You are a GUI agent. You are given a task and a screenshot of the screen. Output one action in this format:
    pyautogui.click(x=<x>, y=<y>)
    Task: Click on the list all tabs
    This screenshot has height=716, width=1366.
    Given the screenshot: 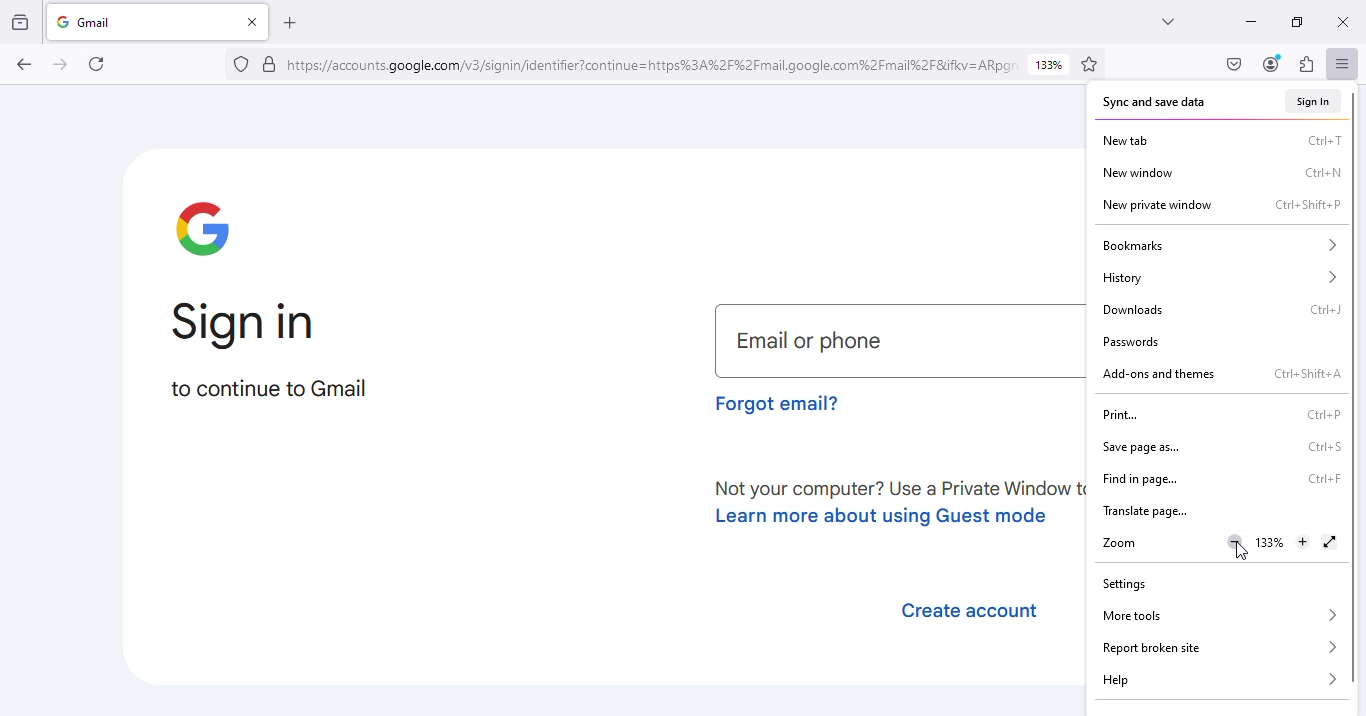 What is the action you would take?
    pyautogui.click(x=1169, y=22)
    